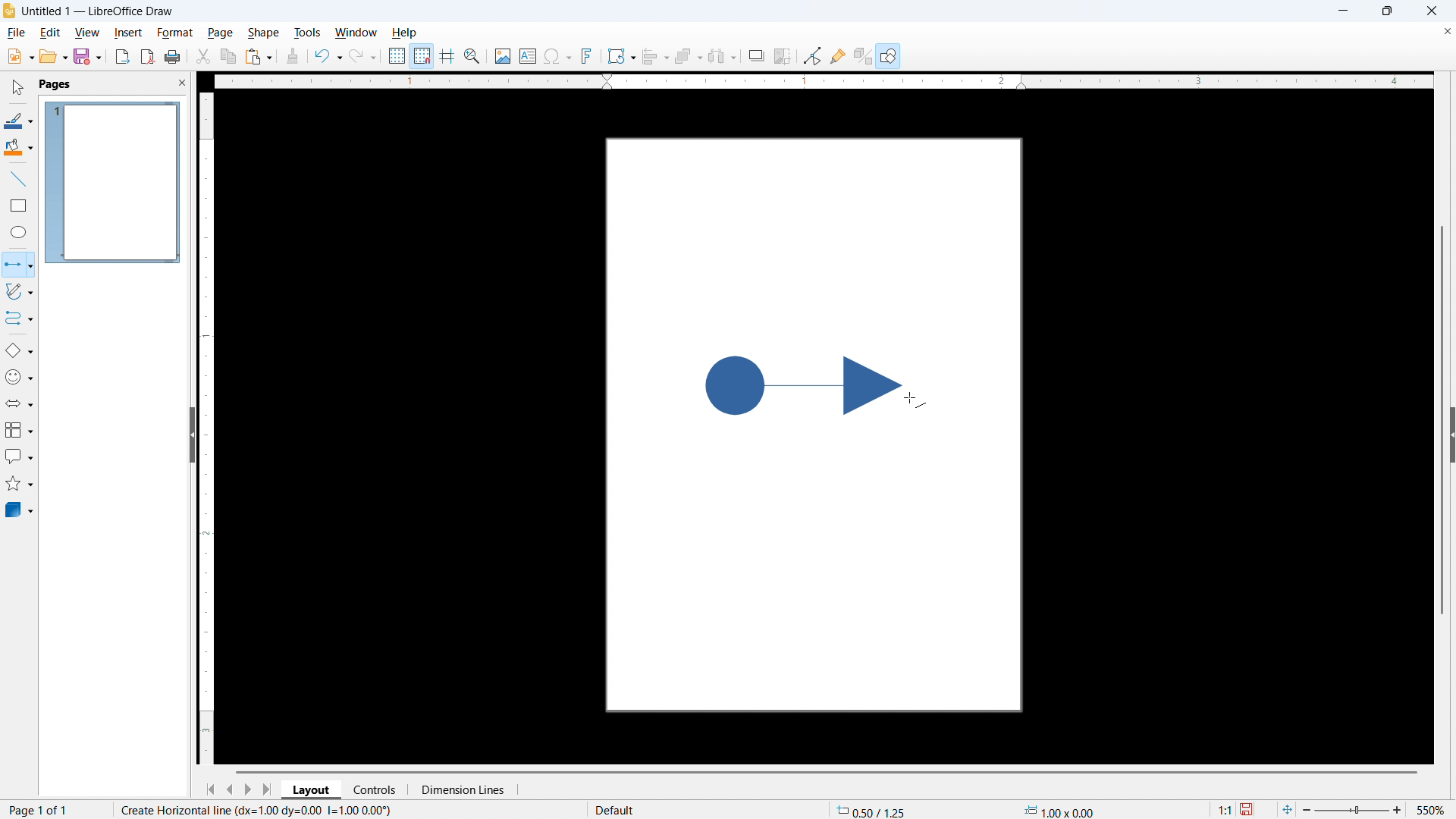 This screenshot has width=1456, height=819. What do you see at coordinates (472, 56) in the screenshot?
I see `Zoom ` at bounding box center [472, 56].